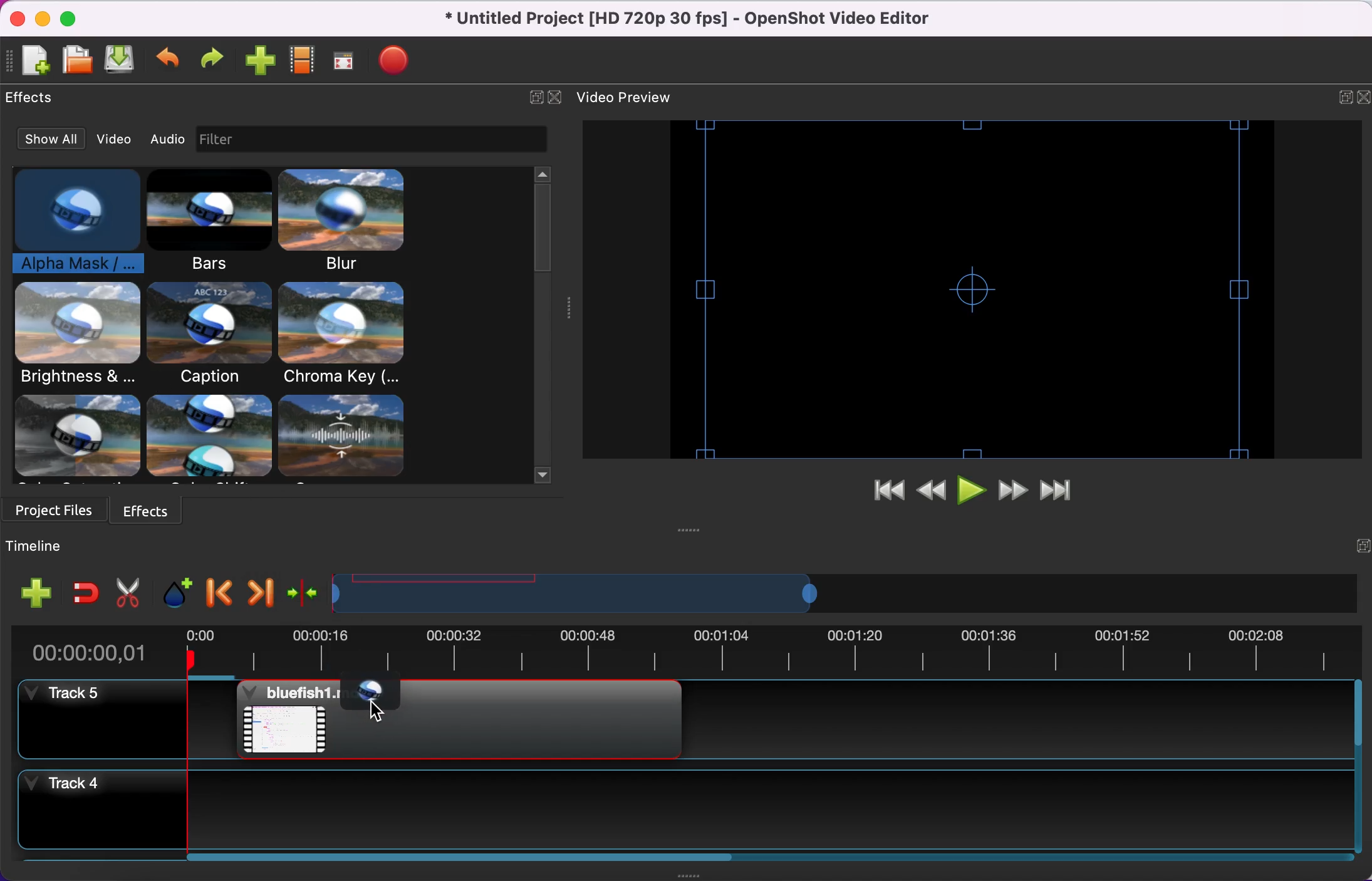 The height and width of the screenshot is (881, 1372). I want to click on expand/hide, so click(1353, 550).